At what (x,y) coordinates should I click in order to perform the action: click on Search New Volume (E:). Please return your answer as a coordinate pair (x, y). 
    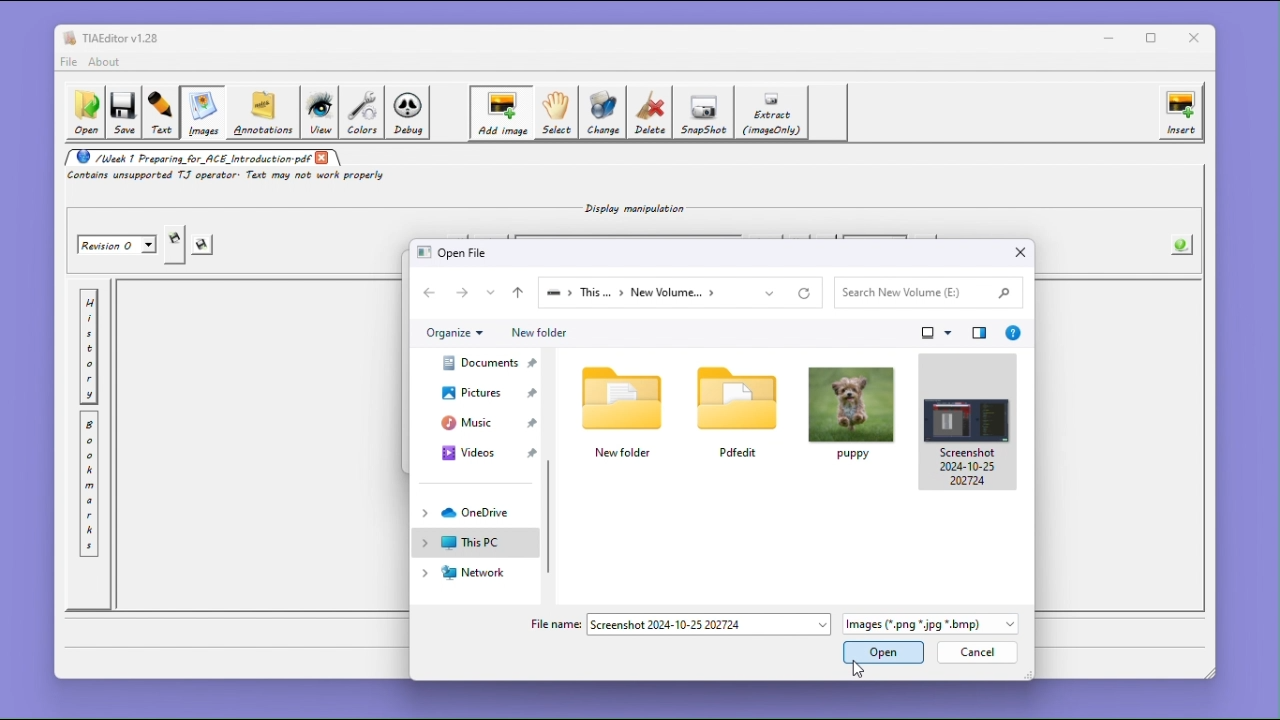
    Looking at the image, I should click on (926, 292).